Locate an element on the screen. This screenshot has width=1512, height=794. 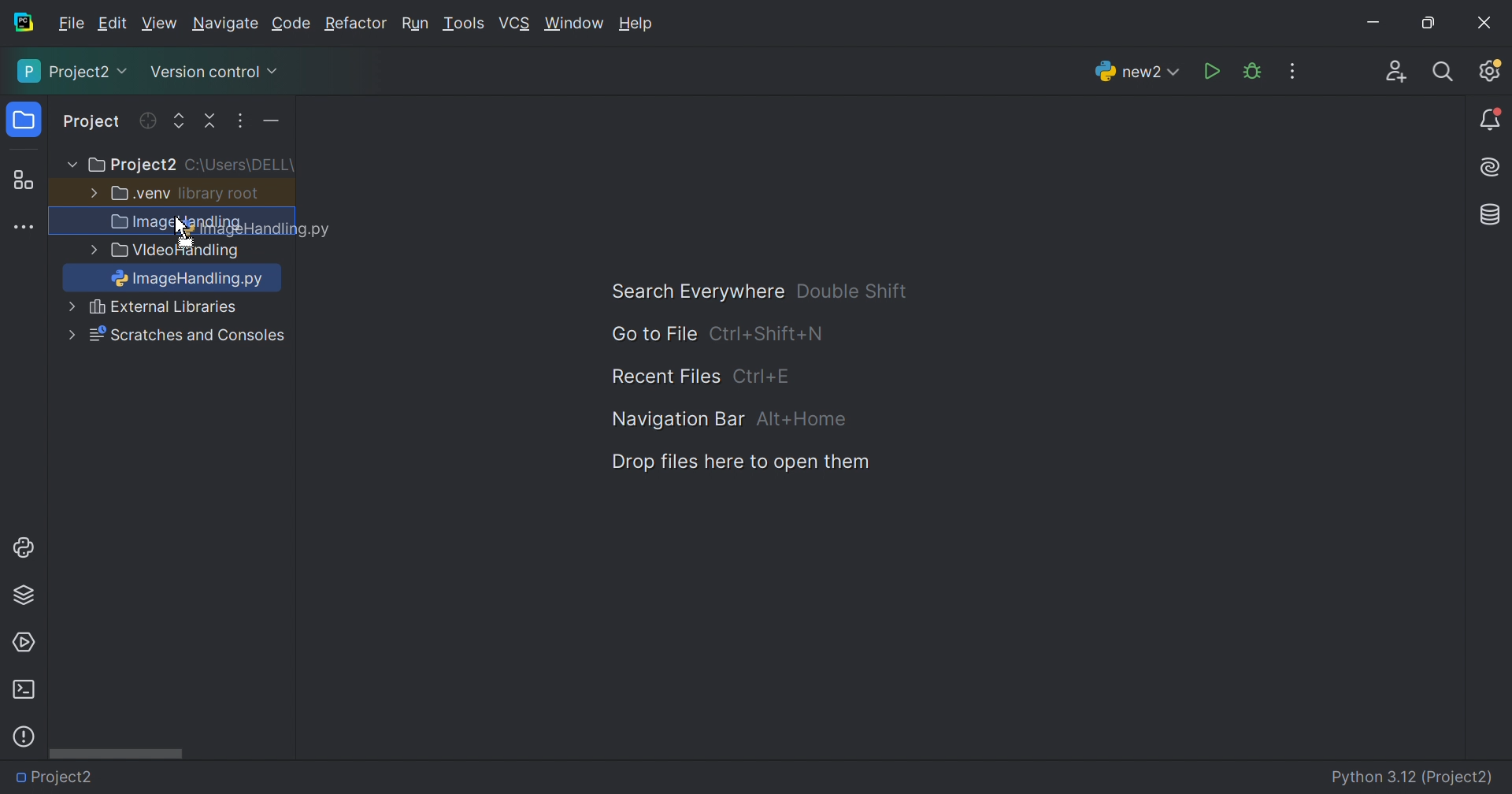
Close is located at coordinates (1484, 23).